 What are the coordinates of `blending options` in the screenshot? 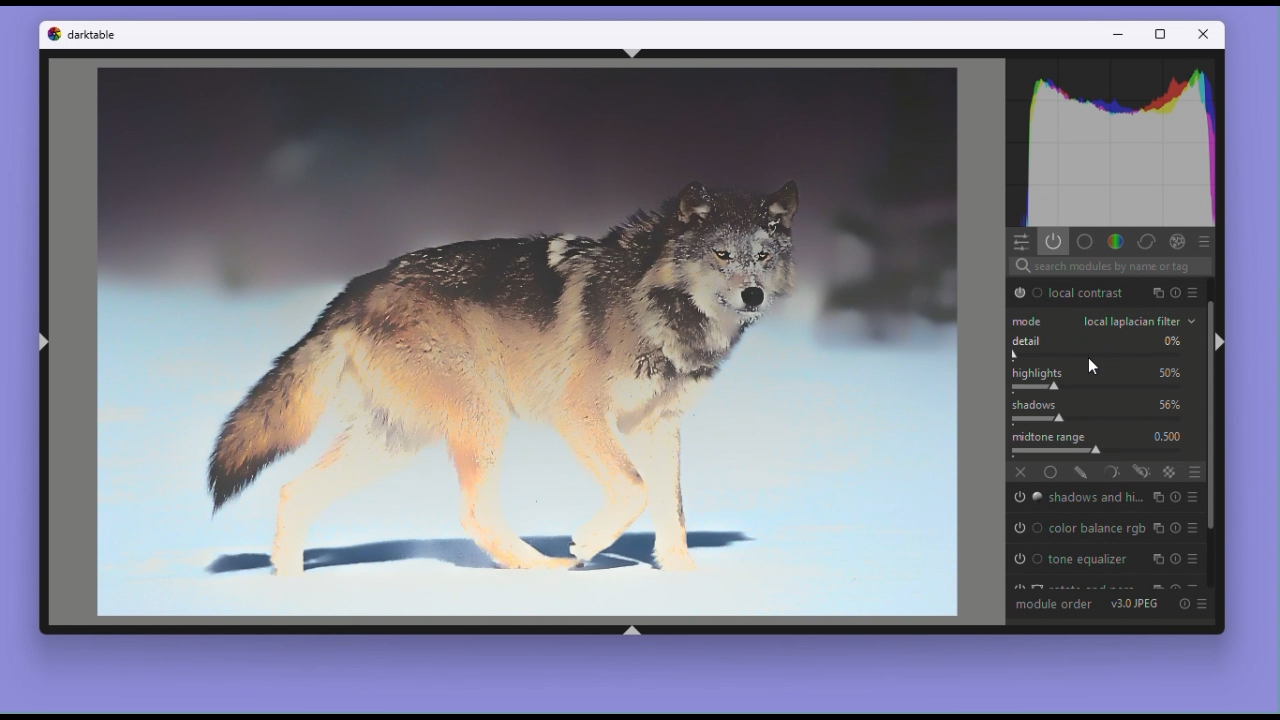 It's located at (1196, 474).